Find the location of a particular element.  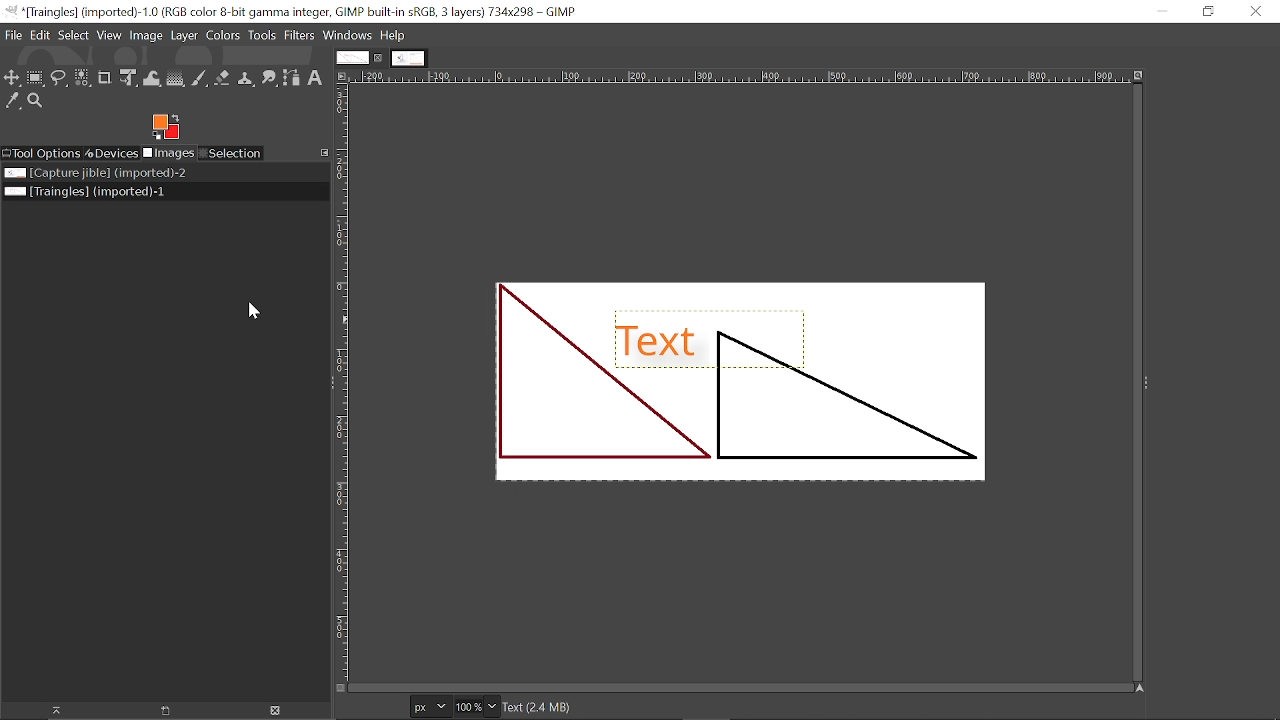

Smudge tool is located at coordinates (270, 80).